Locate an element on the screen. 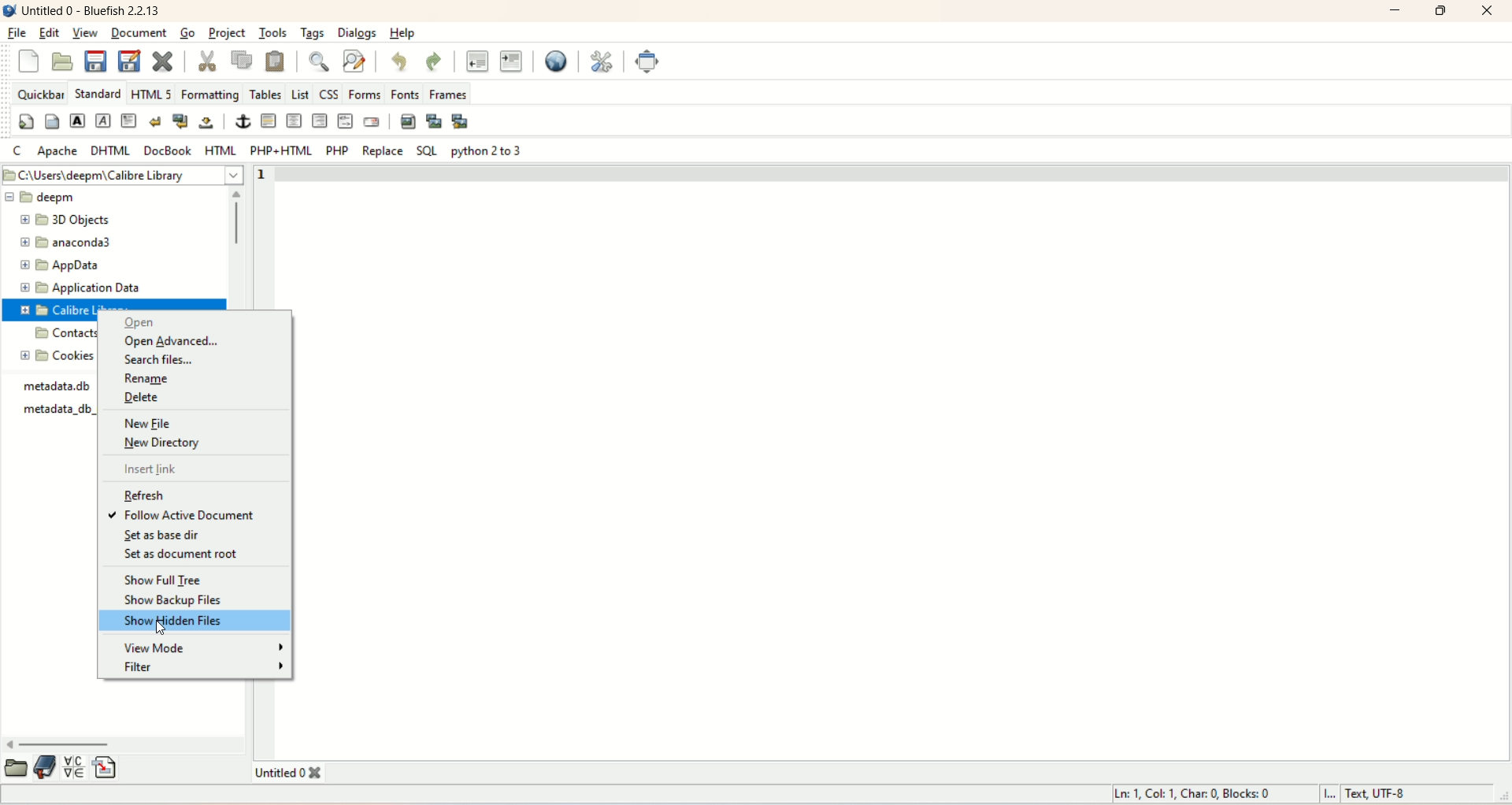 This screenshot has width=1512, height=805. anaconda3 is located at coordinates (65, 242).